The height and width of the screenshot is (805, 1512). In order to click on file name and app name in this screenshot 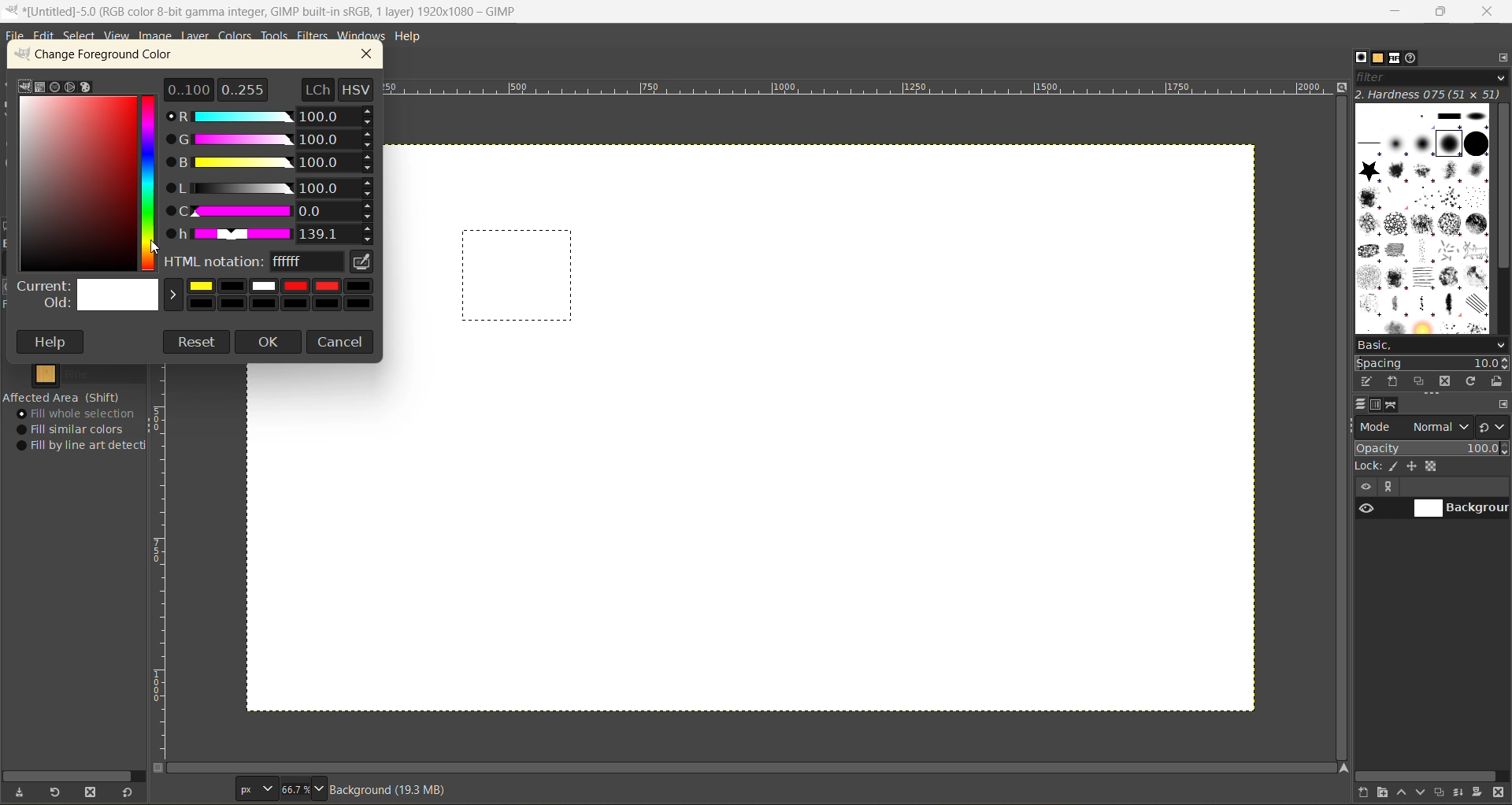, I will do `click(278, 11)`.